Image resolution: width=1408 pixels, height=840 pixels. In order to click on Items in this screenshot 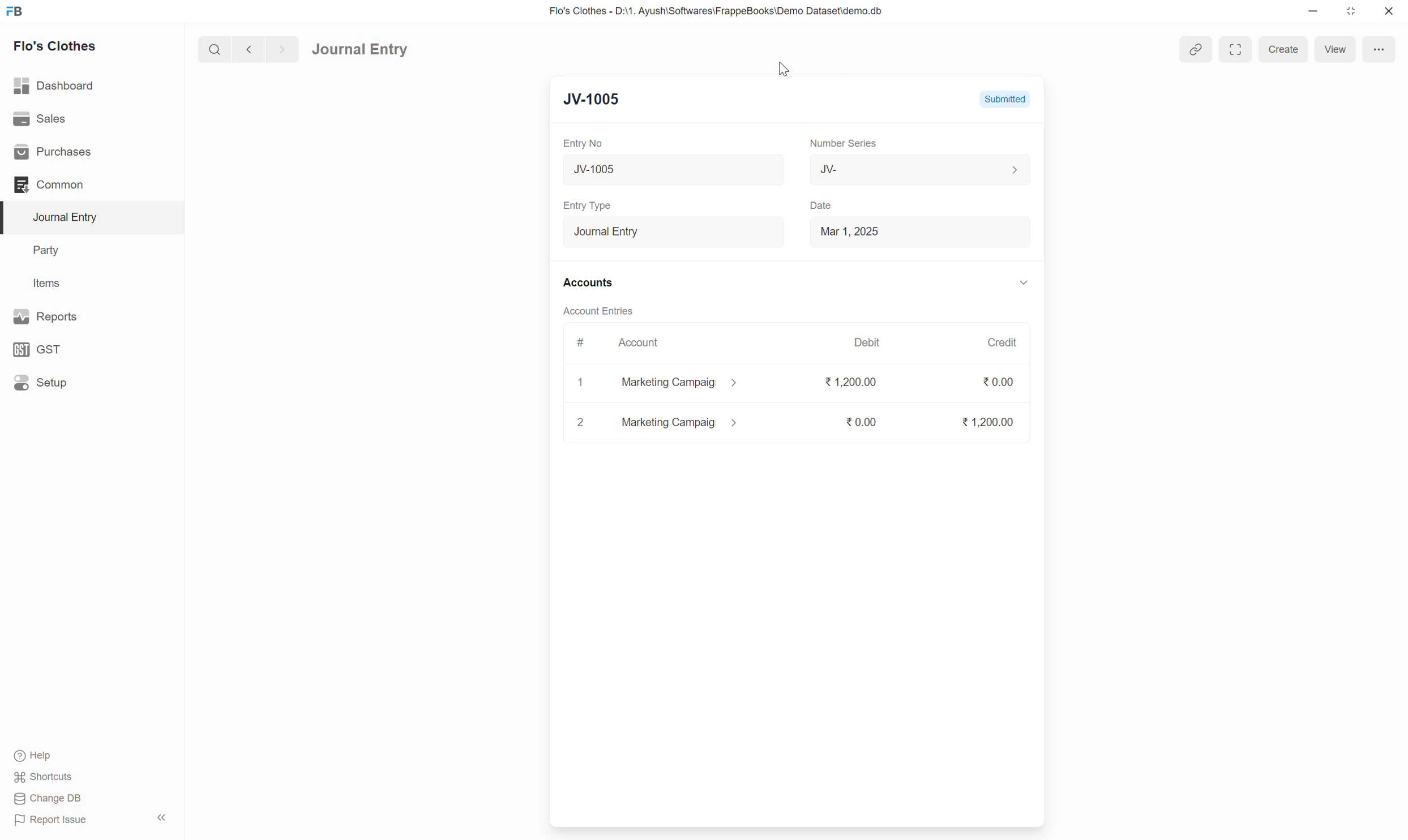, I will do `click(46, 282)`.